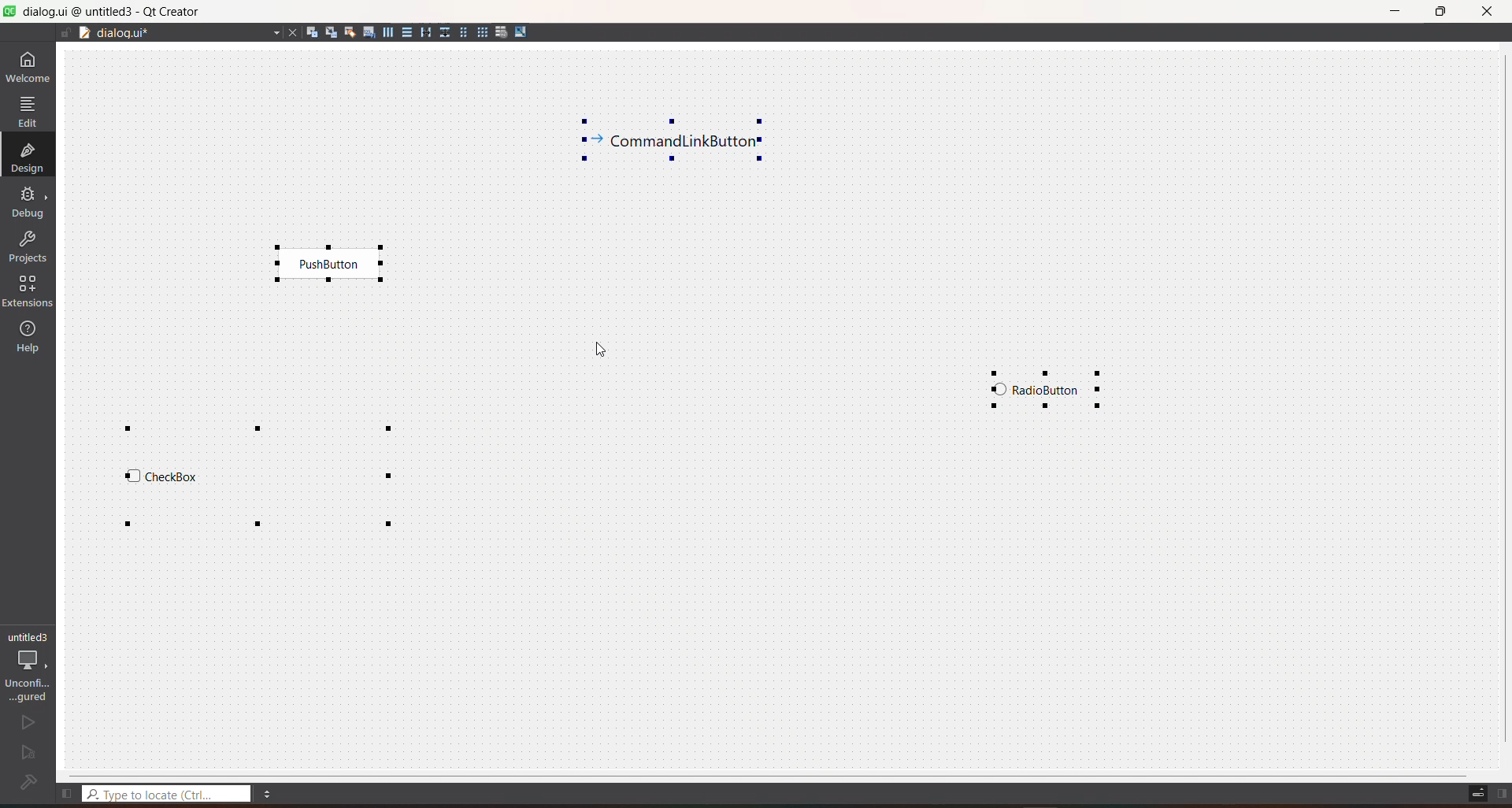  Describe the element at coordinates (112, 12) in the screenshot. I see `title` at that location.